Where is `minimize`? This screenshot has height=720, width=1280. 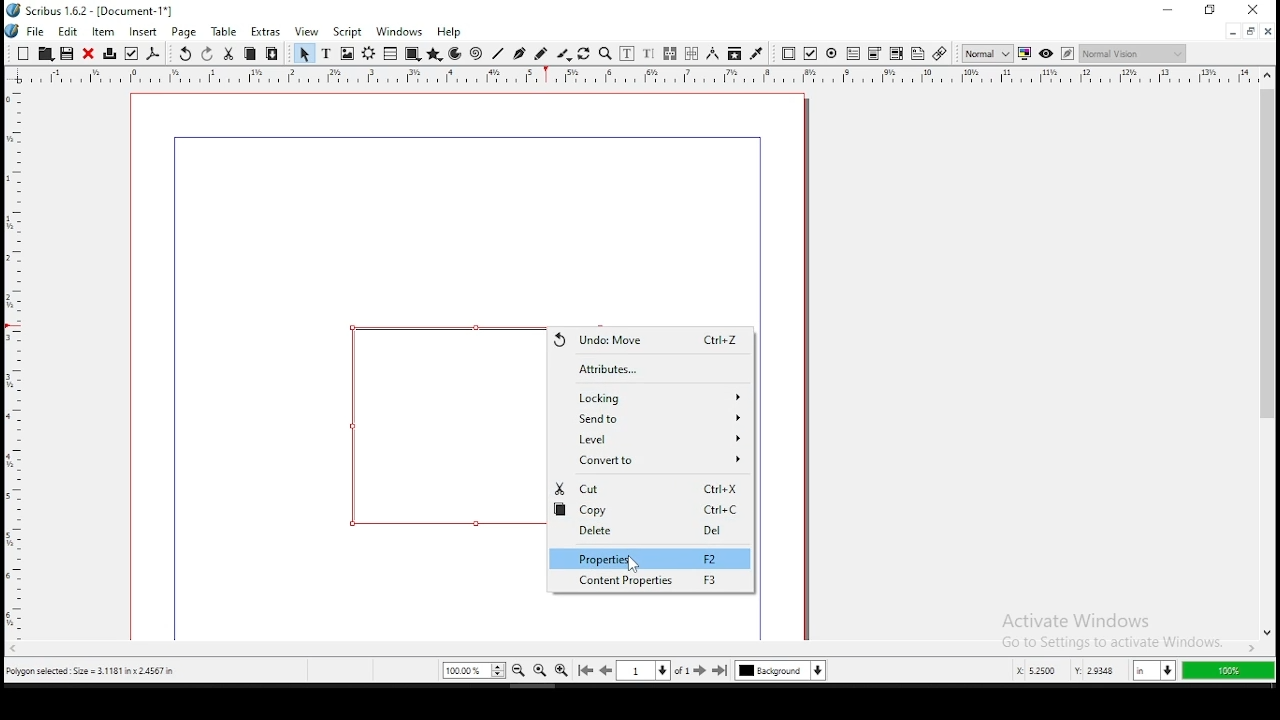 minimize is located at coordinates (1232, 33).